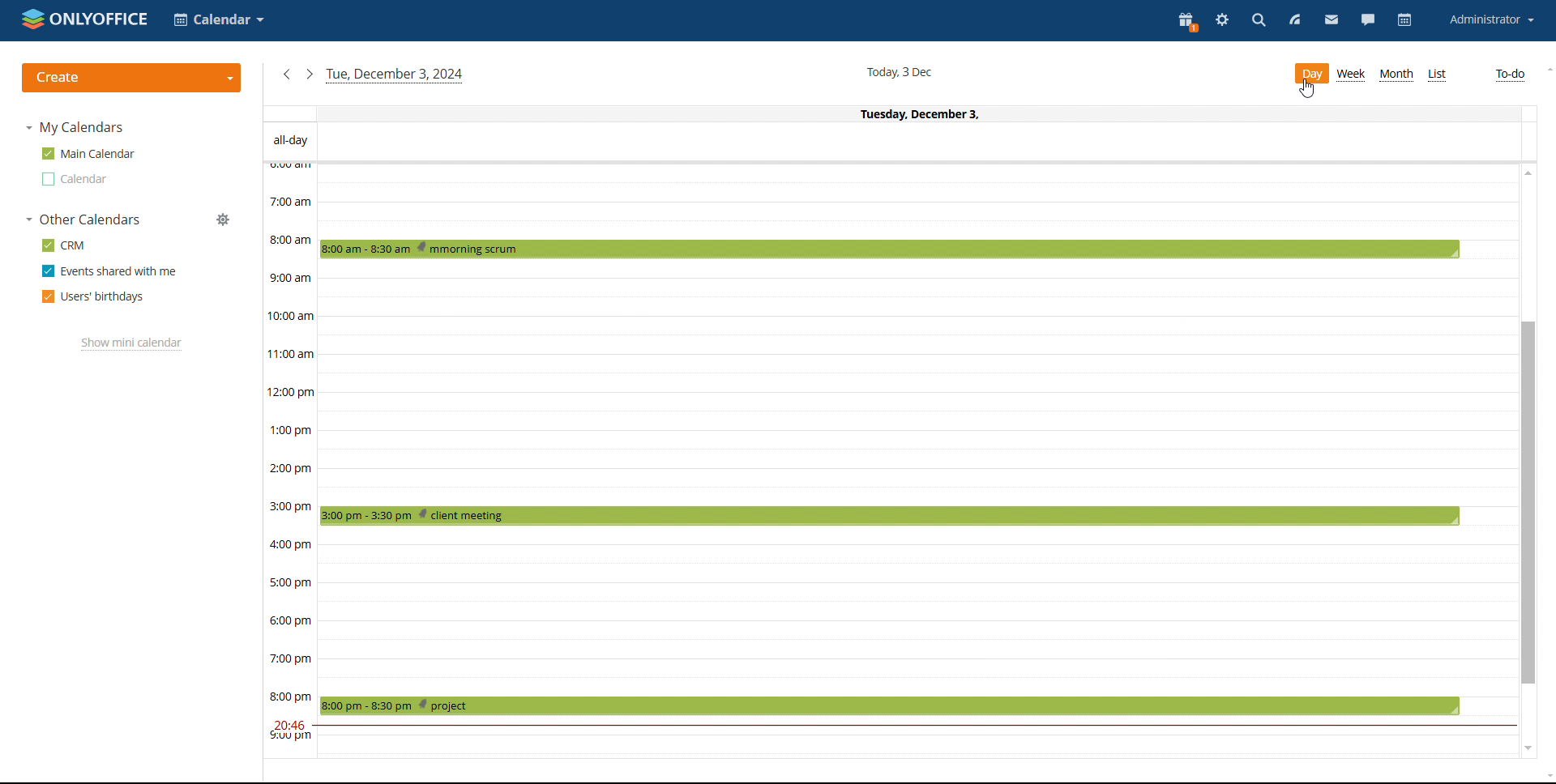 The width and height of the screenshot is (1556, 784). What do you see at coordinates (395, 75) in the screenshot?
I see `today` at bounding box center [395, 75].